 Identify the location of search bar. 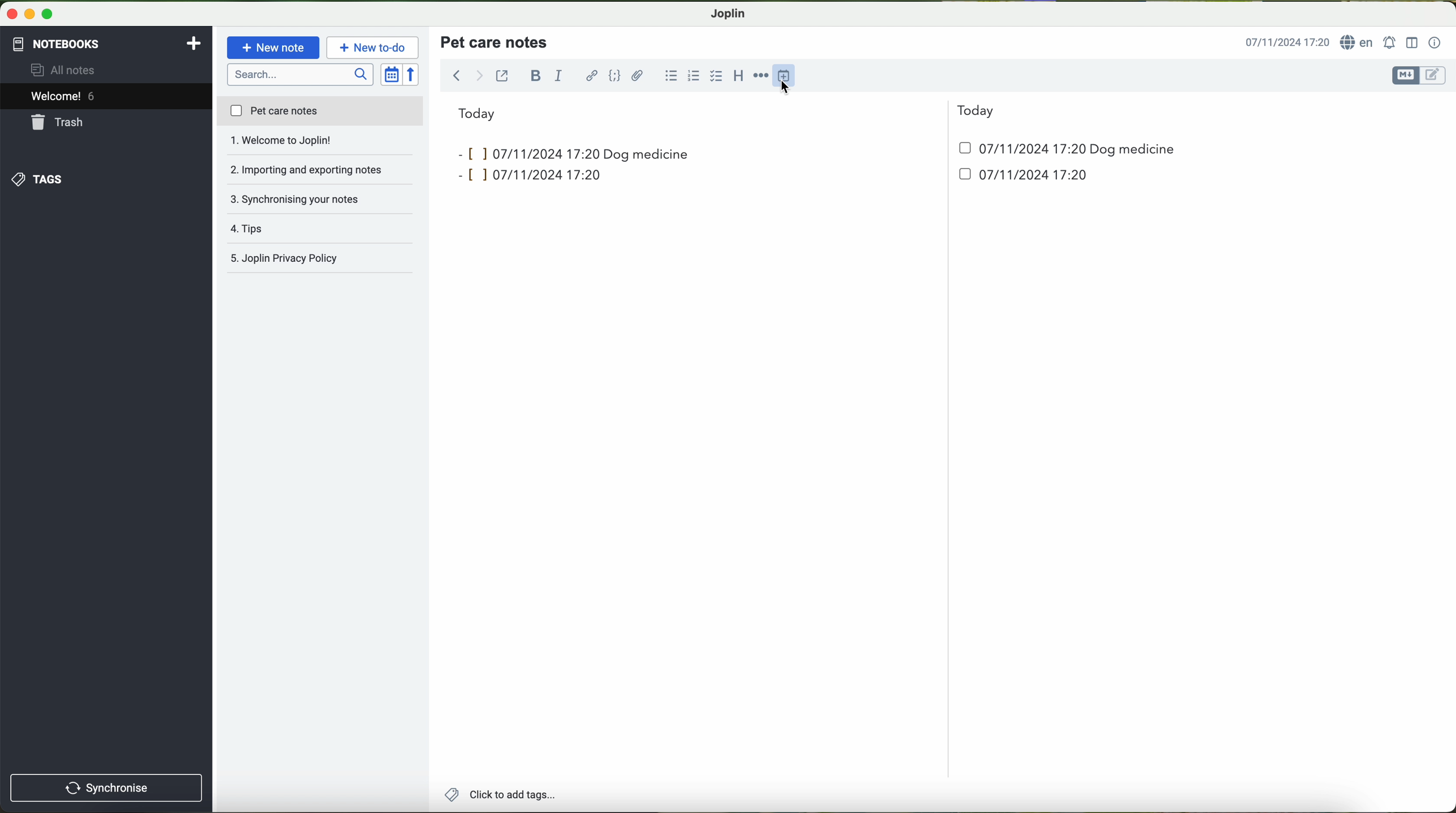
(302, 73).